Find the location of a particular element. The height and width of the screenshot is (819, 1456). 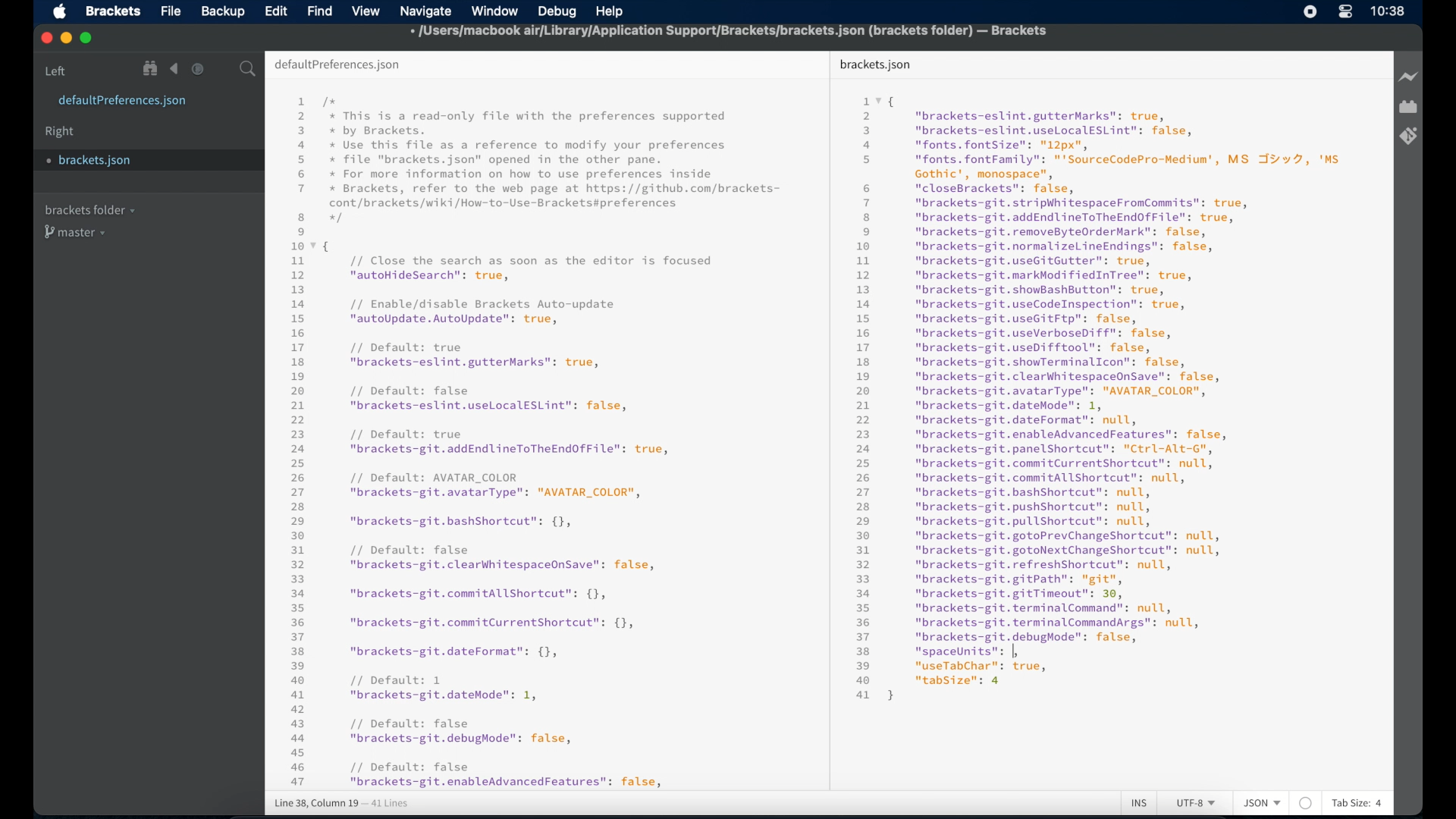

split the editor vertical or horizontal is located at coordinates (222, 70).